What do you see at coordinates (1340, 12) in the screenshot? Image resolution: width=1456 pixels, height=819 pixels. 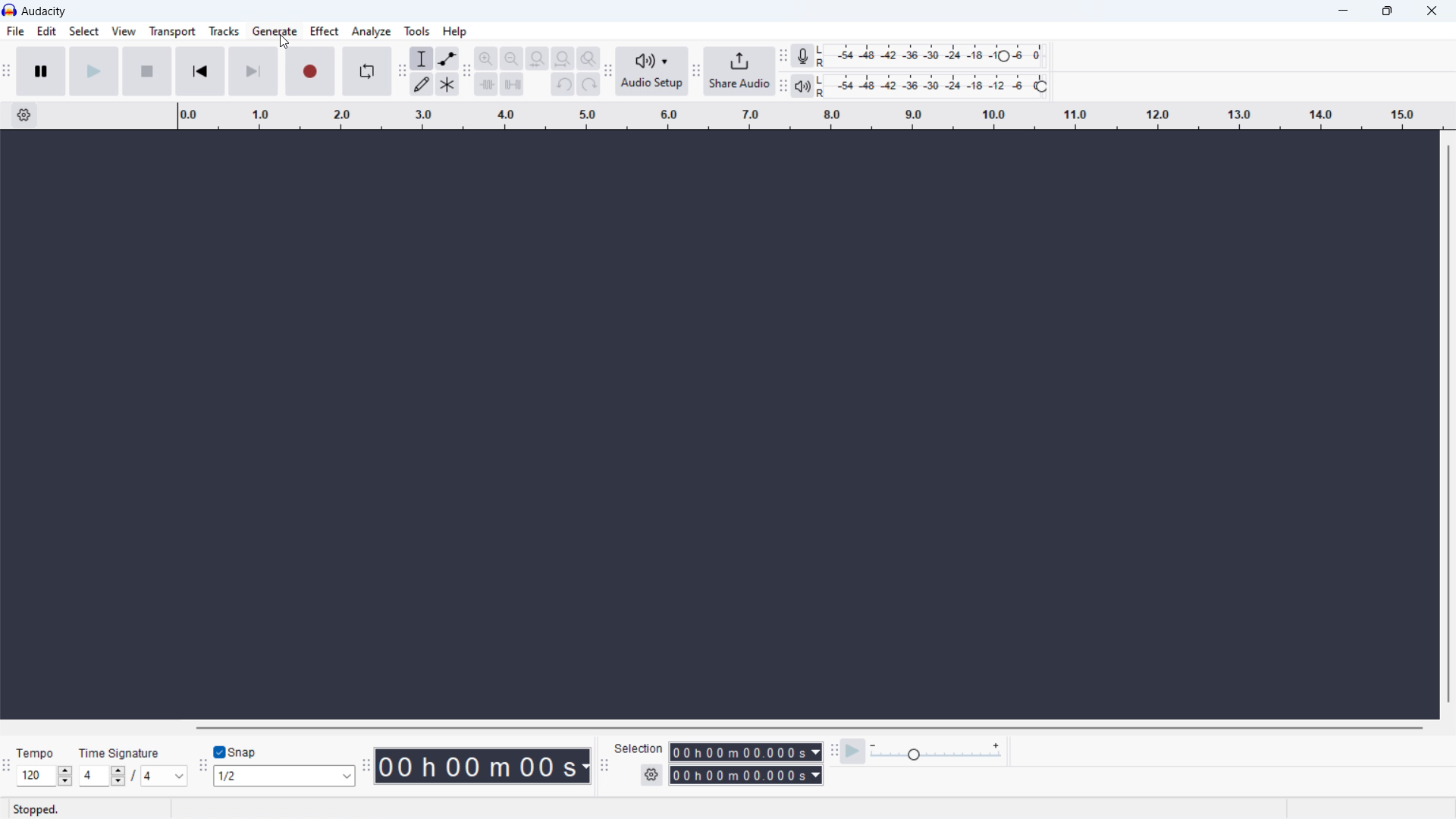 I see `minimize` at bounding box center [1340, 12].